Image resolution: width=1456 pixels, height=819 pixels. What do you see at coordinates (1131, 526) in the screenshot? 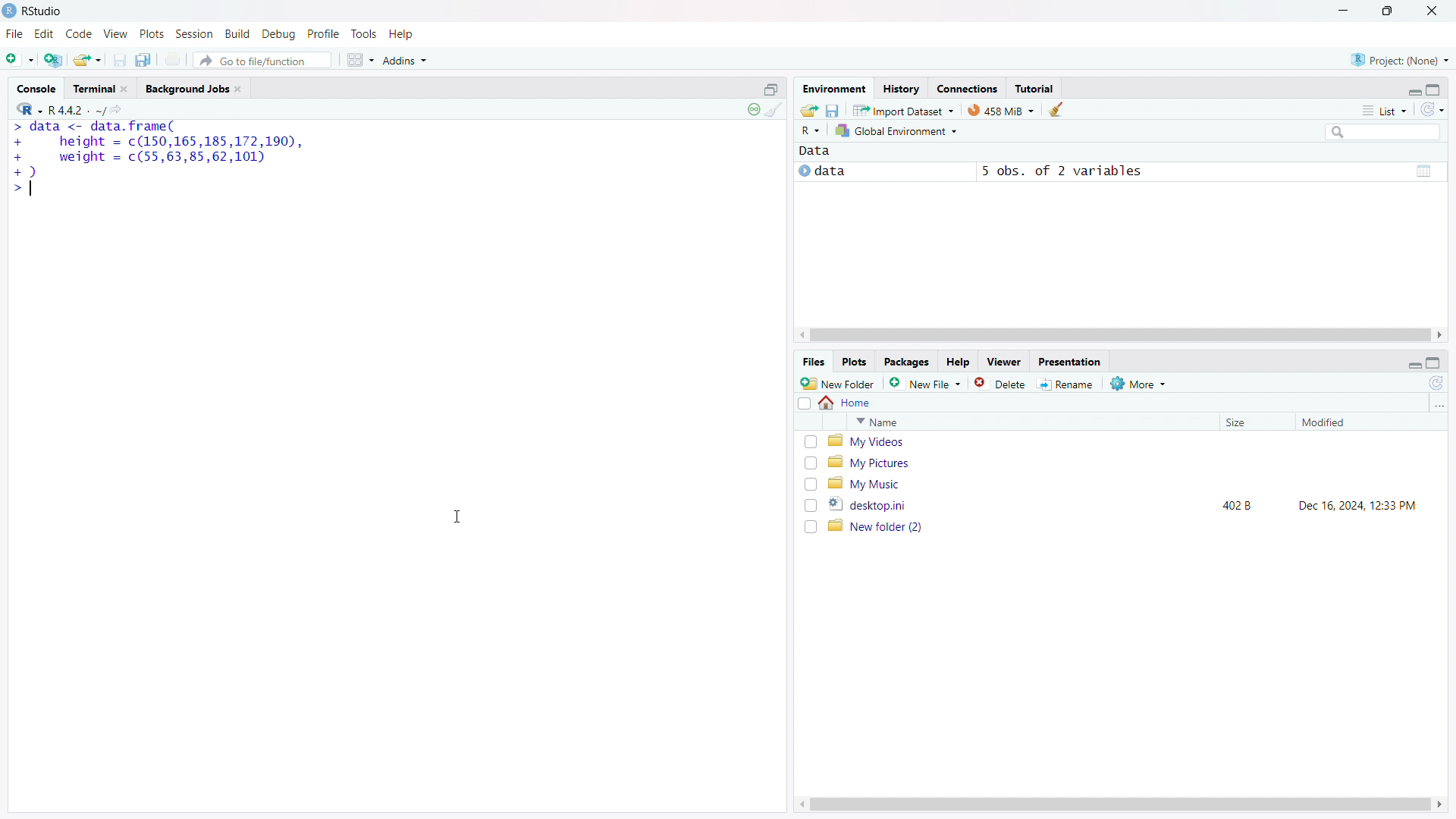
I see `new folder (2)` at bounding box center [1131, 526].